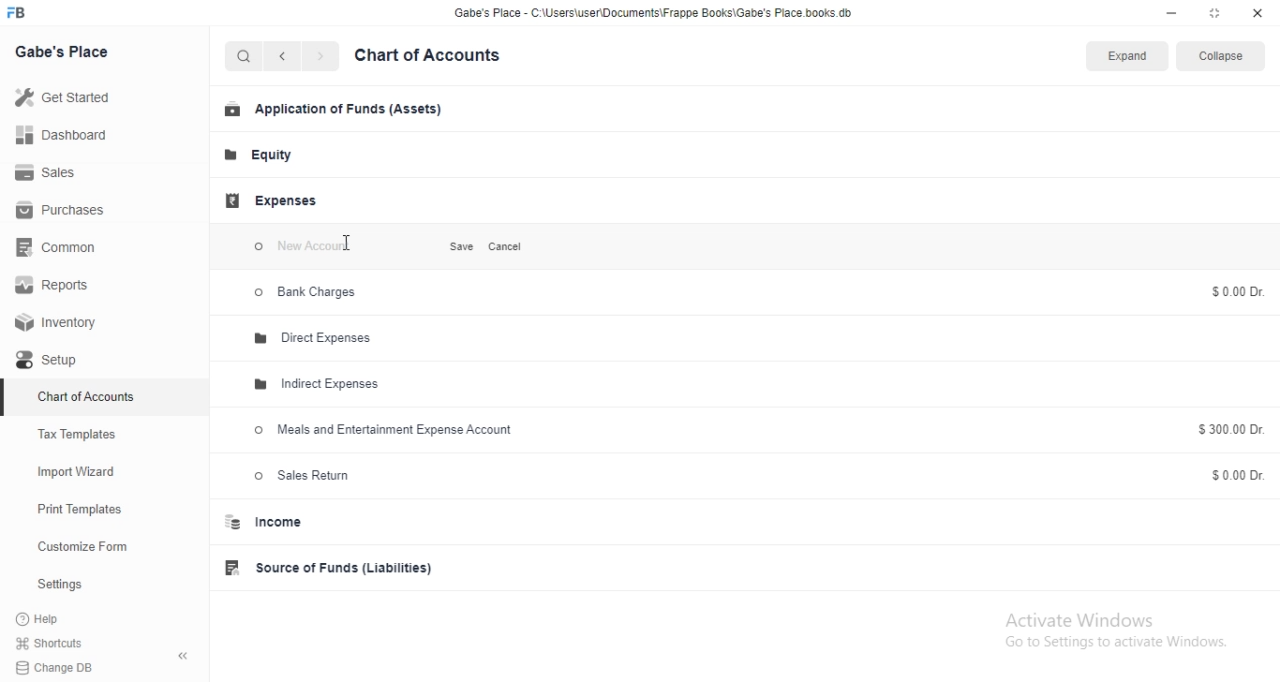 The image size is (1280, 682). Describe the element at coordinates (69, 96) in the screenshot. I see `Get Started` at that location.